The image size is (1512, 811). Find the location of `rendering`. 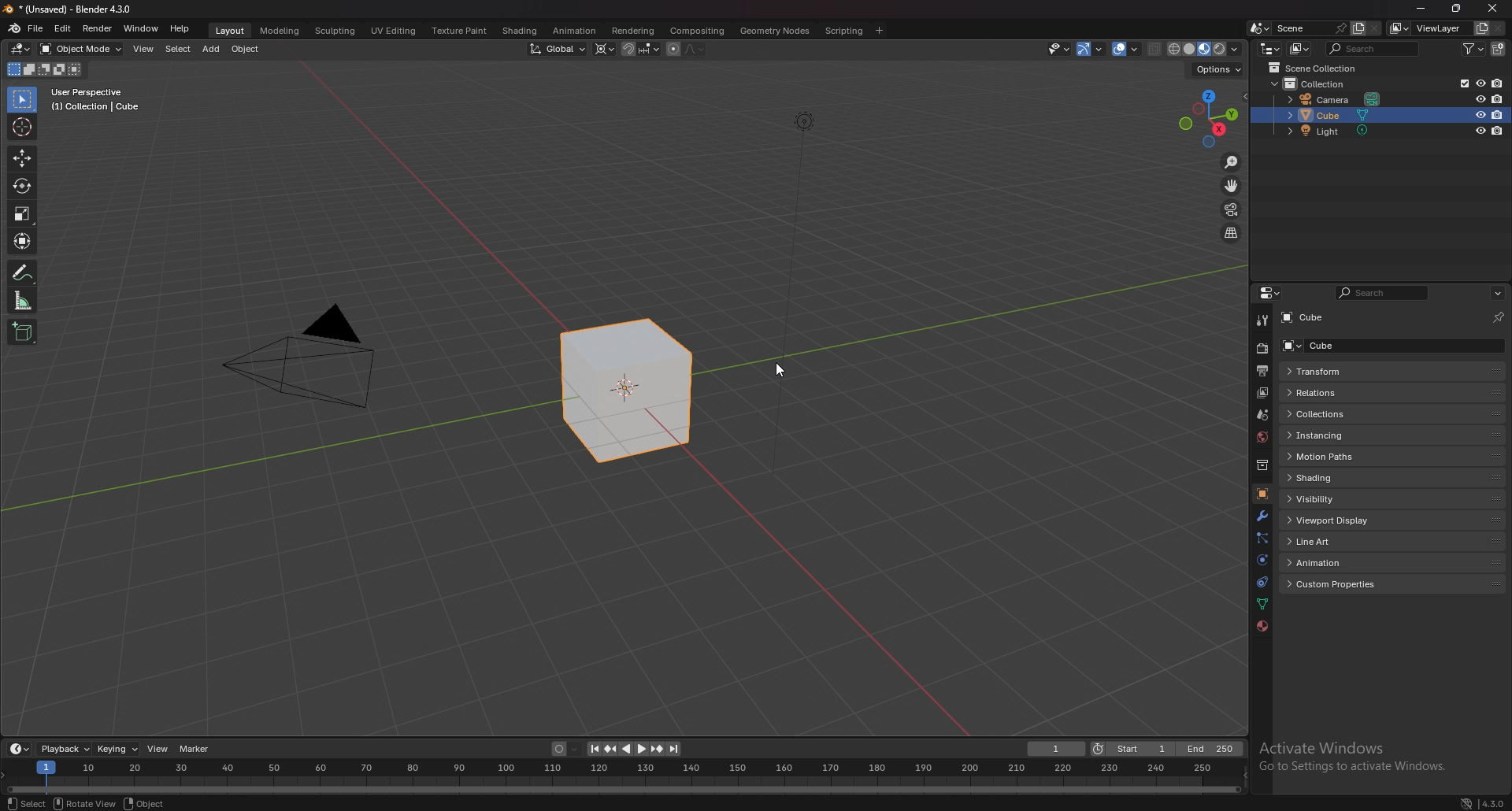

rendering is located at coordinates (632, 31).